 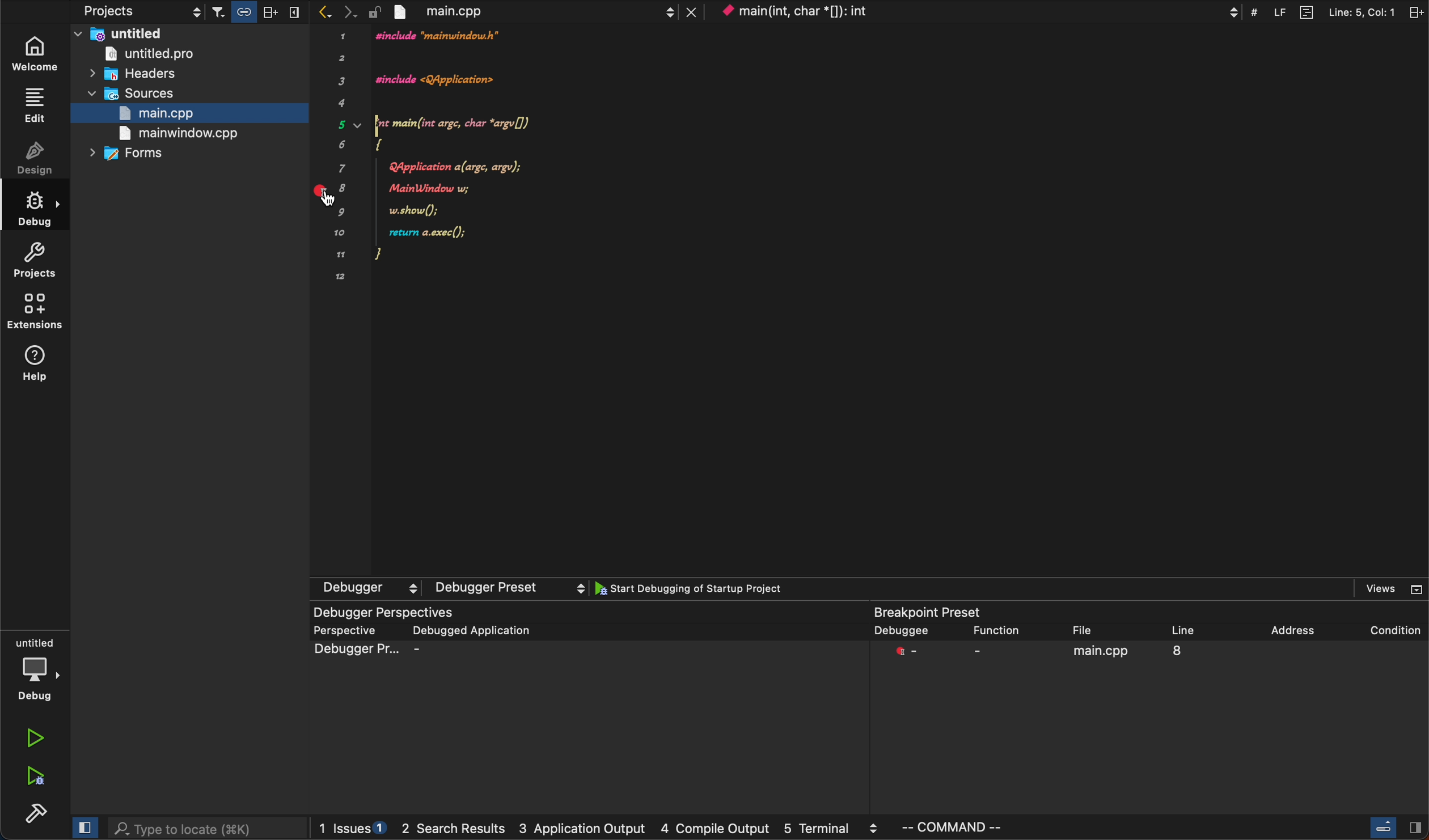 I want to click on views, so click(x=1383, y=590).